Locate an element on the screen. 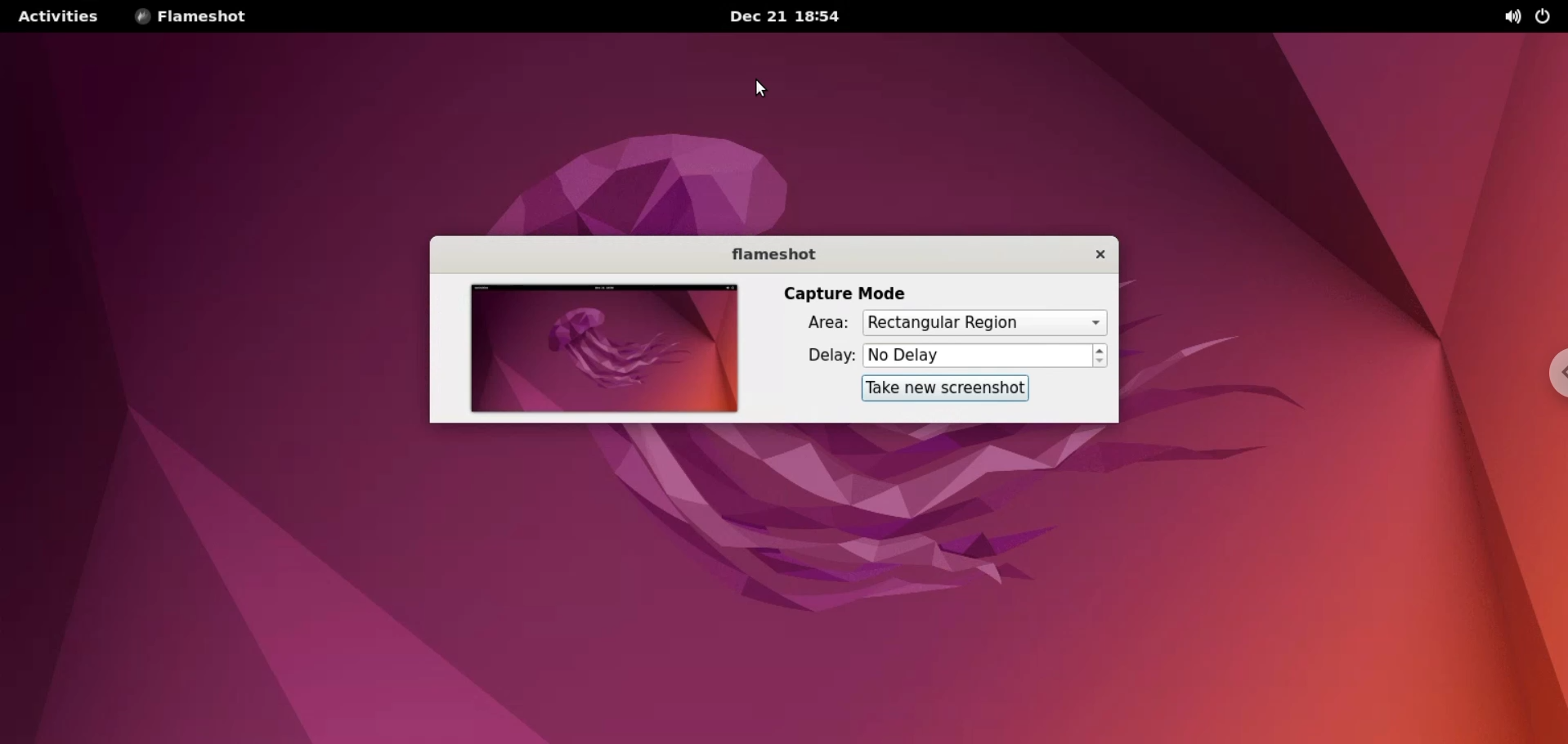  sound options is located at coordinates (1515, 17).